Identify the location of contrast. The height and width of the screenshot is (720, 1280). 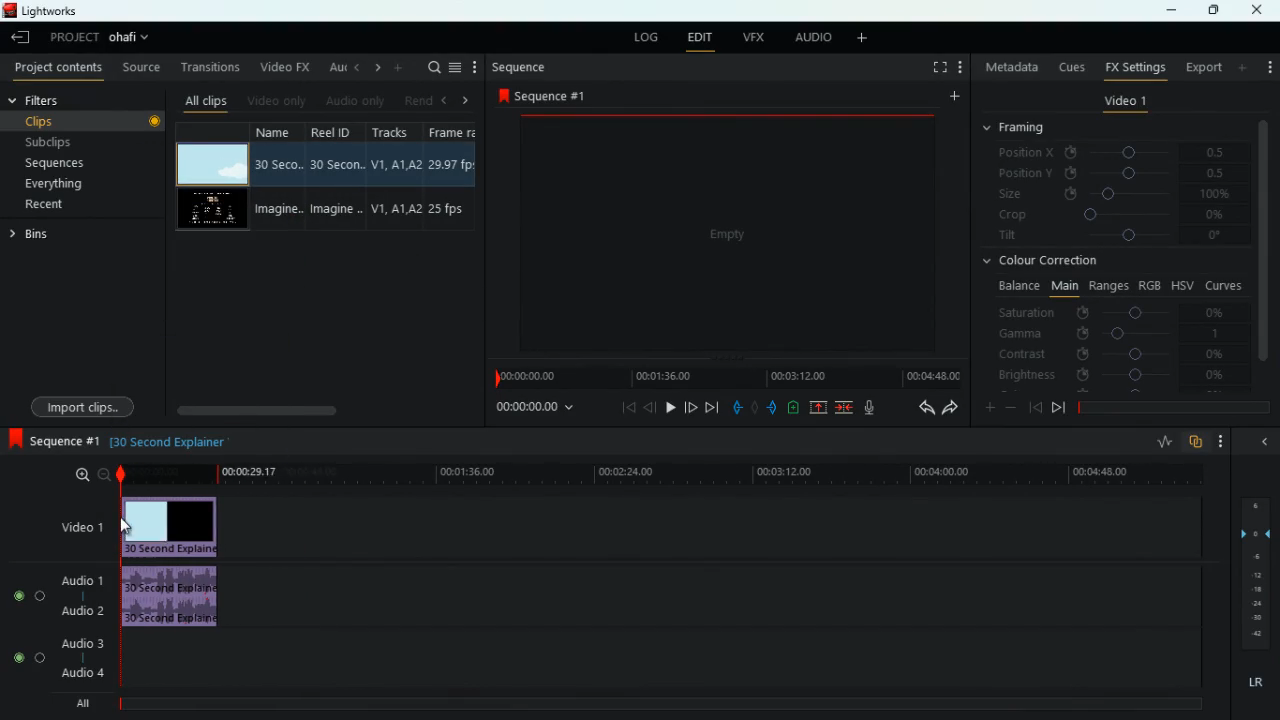
(1110, 355).